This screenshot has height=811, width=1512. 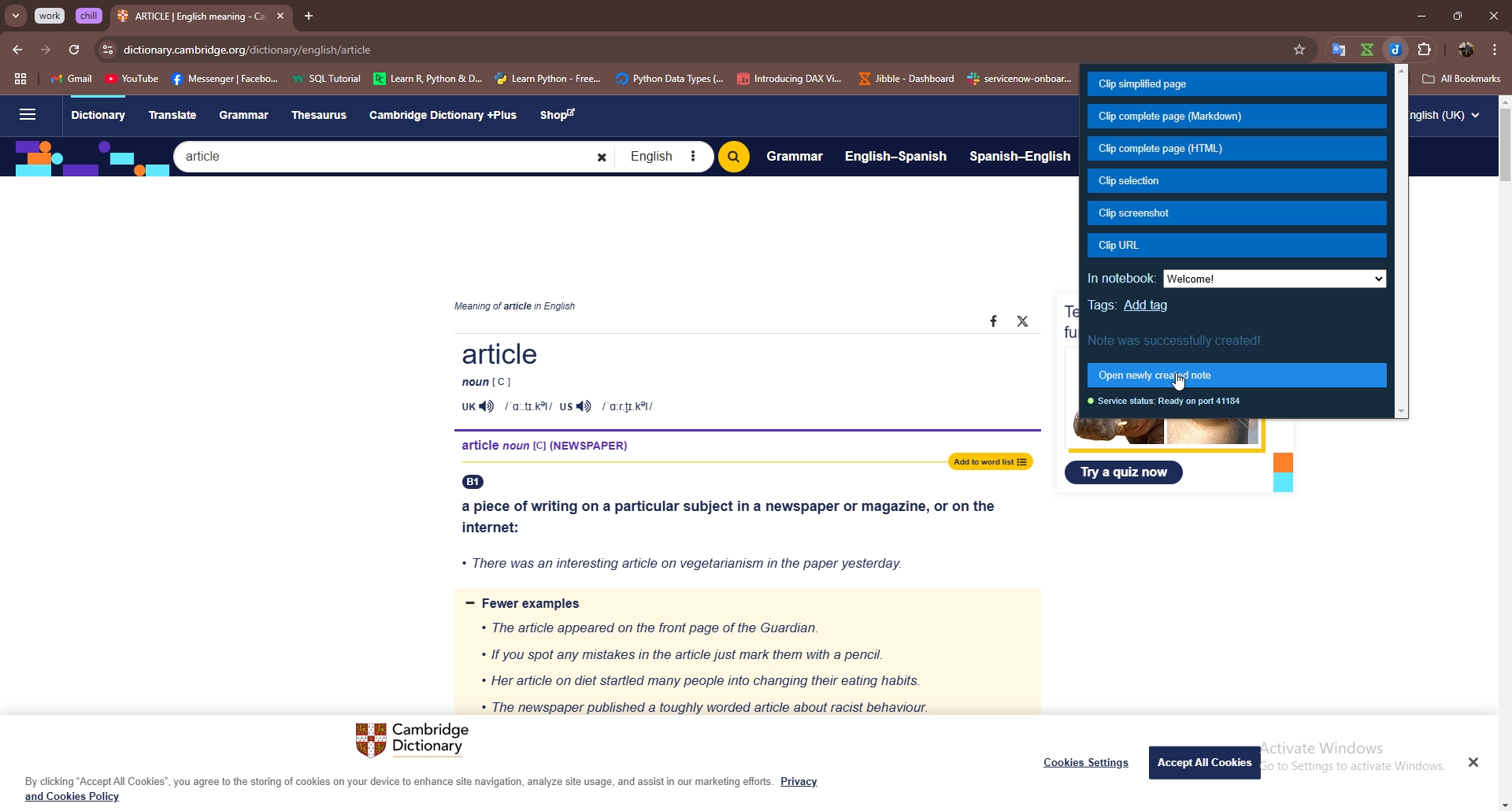 What do you see at coordinates (191, 18) in the screenshot?
I see `tab` at bounding box center [191, 18].